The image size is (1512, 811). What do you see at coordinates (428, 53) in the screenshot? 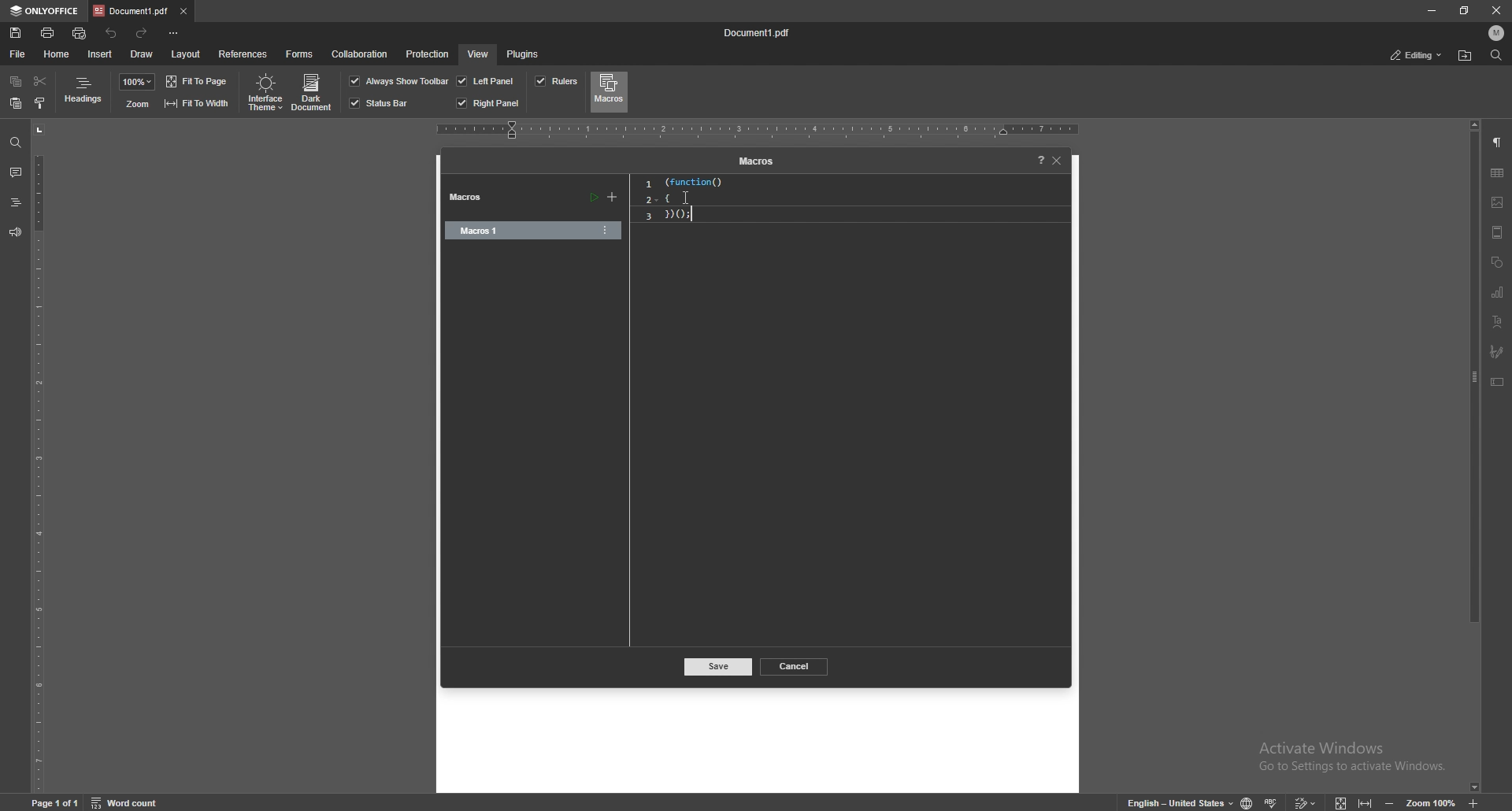
I see `protection` at bounding box center [428, 53].